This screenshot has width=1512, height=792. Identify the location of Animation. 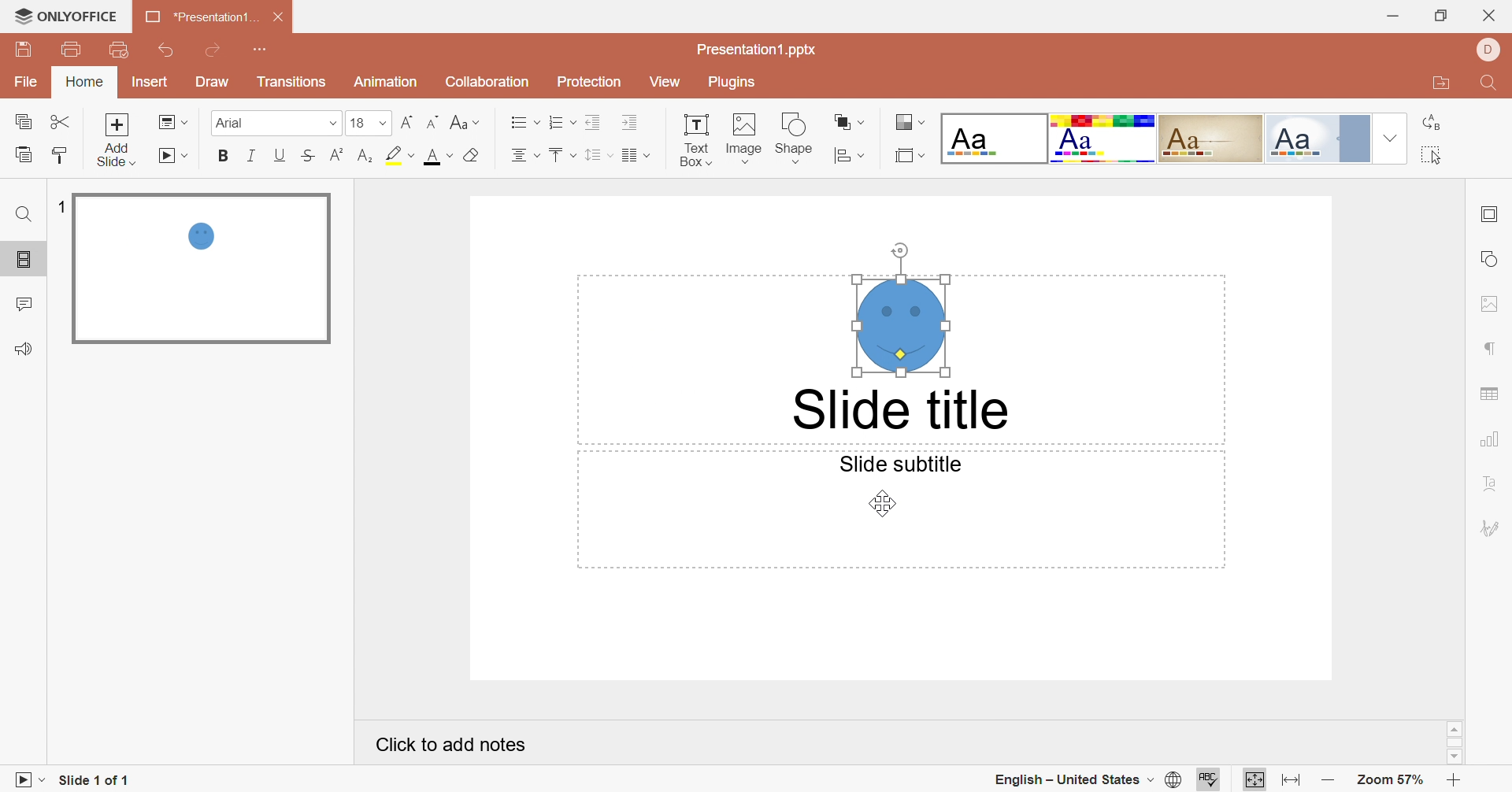
(384, 86).